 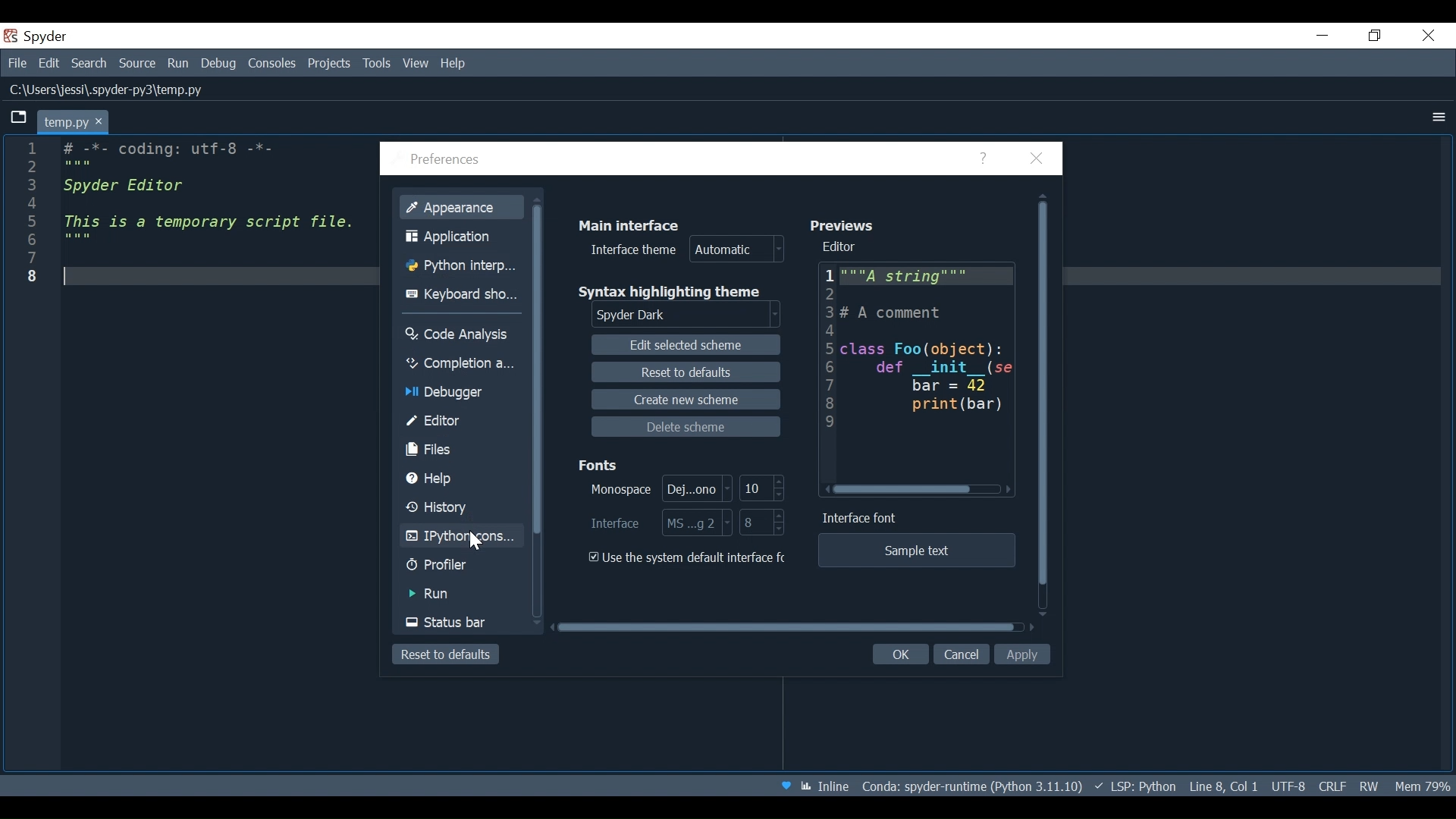 I want to click on Syntax Highlighting theme, so click(x=672, y=290).